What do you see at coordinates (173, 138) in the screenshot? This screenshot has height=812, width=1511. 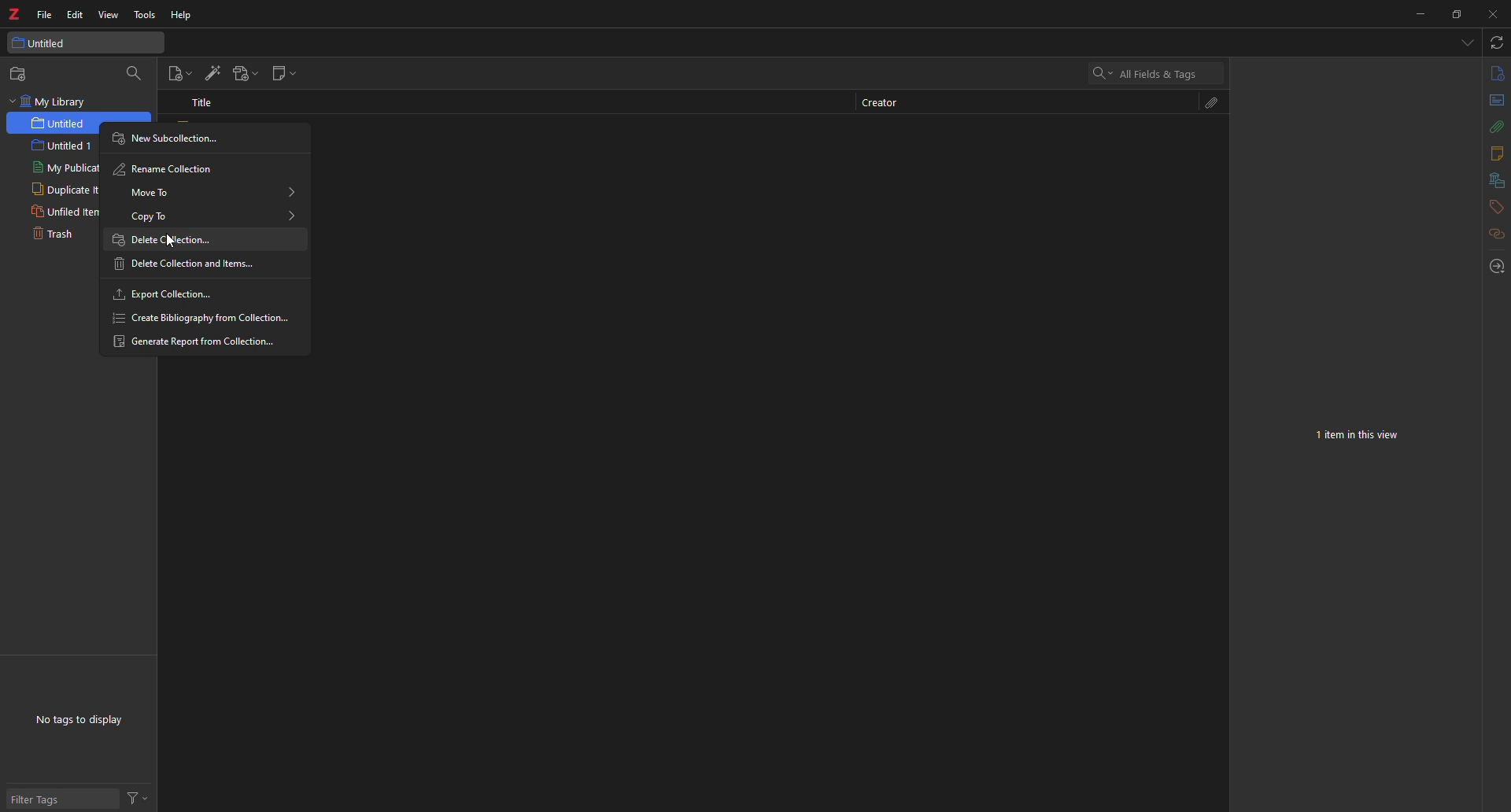 I see `new subcollection` at bounding box center [173, 138].